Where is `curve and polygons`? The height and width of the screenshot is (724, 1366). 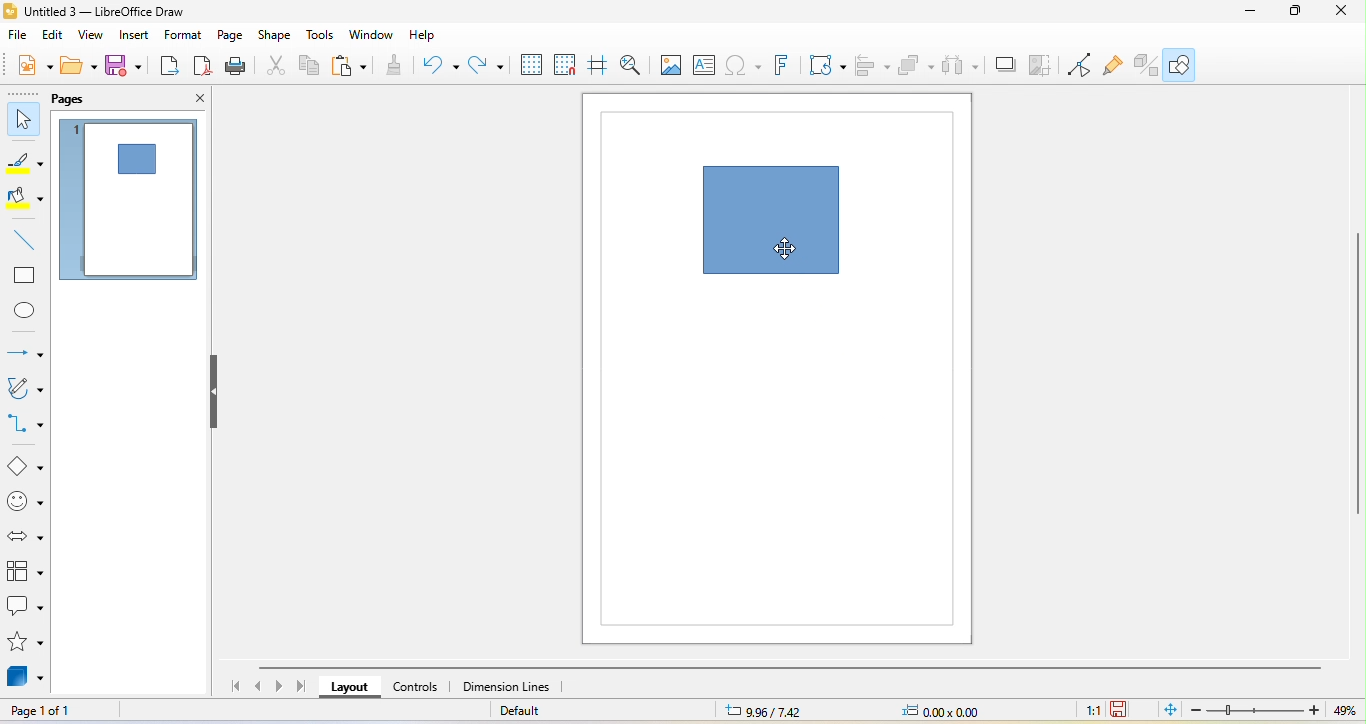 curve and polygons is located at coordinates (26, 390).